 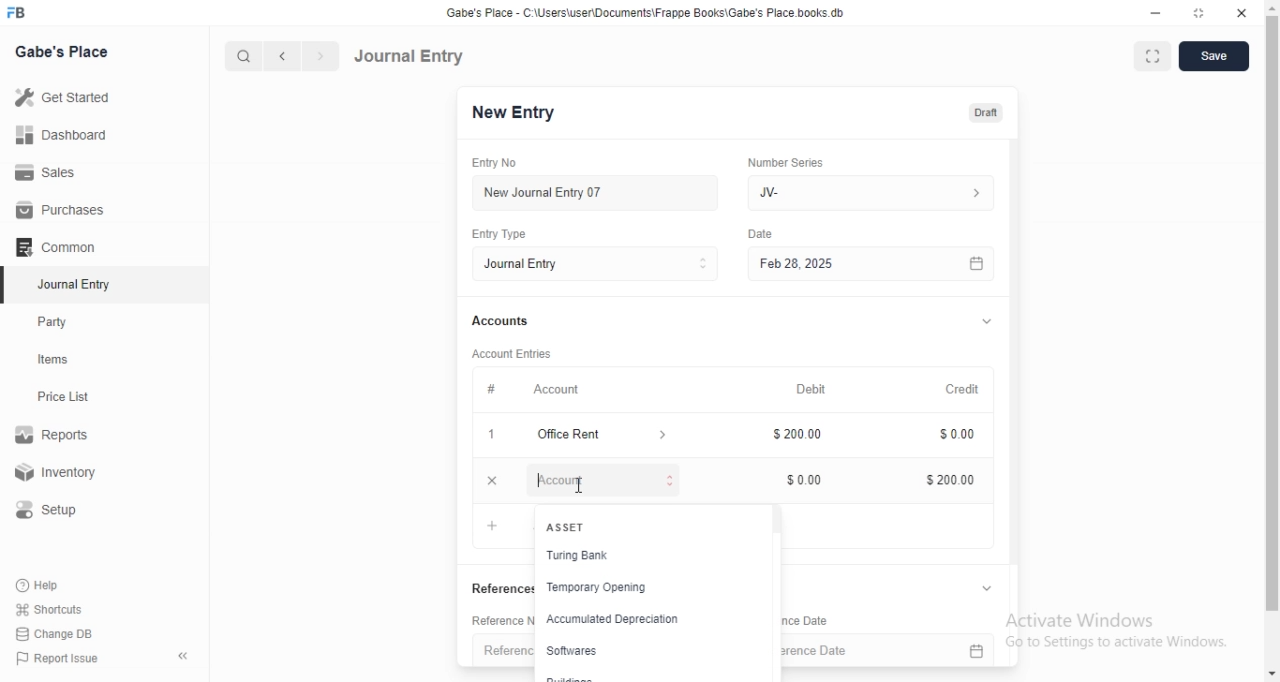 I want to click on FB logo, so click(x=18, y=13).